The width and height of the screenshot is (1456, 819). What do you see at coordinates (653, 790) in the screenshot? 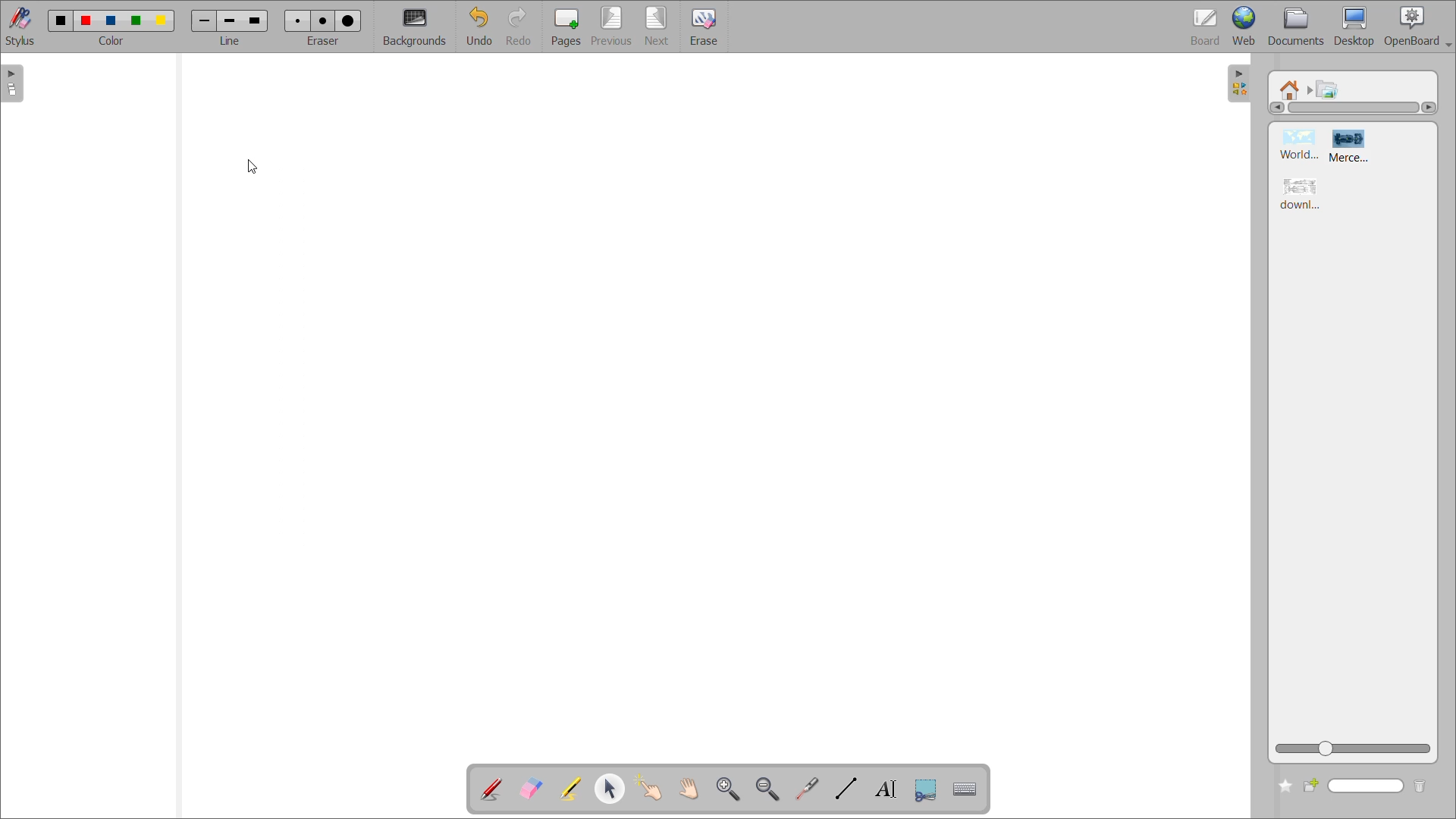
I see `interact with items` at bounding box center [653, 790].